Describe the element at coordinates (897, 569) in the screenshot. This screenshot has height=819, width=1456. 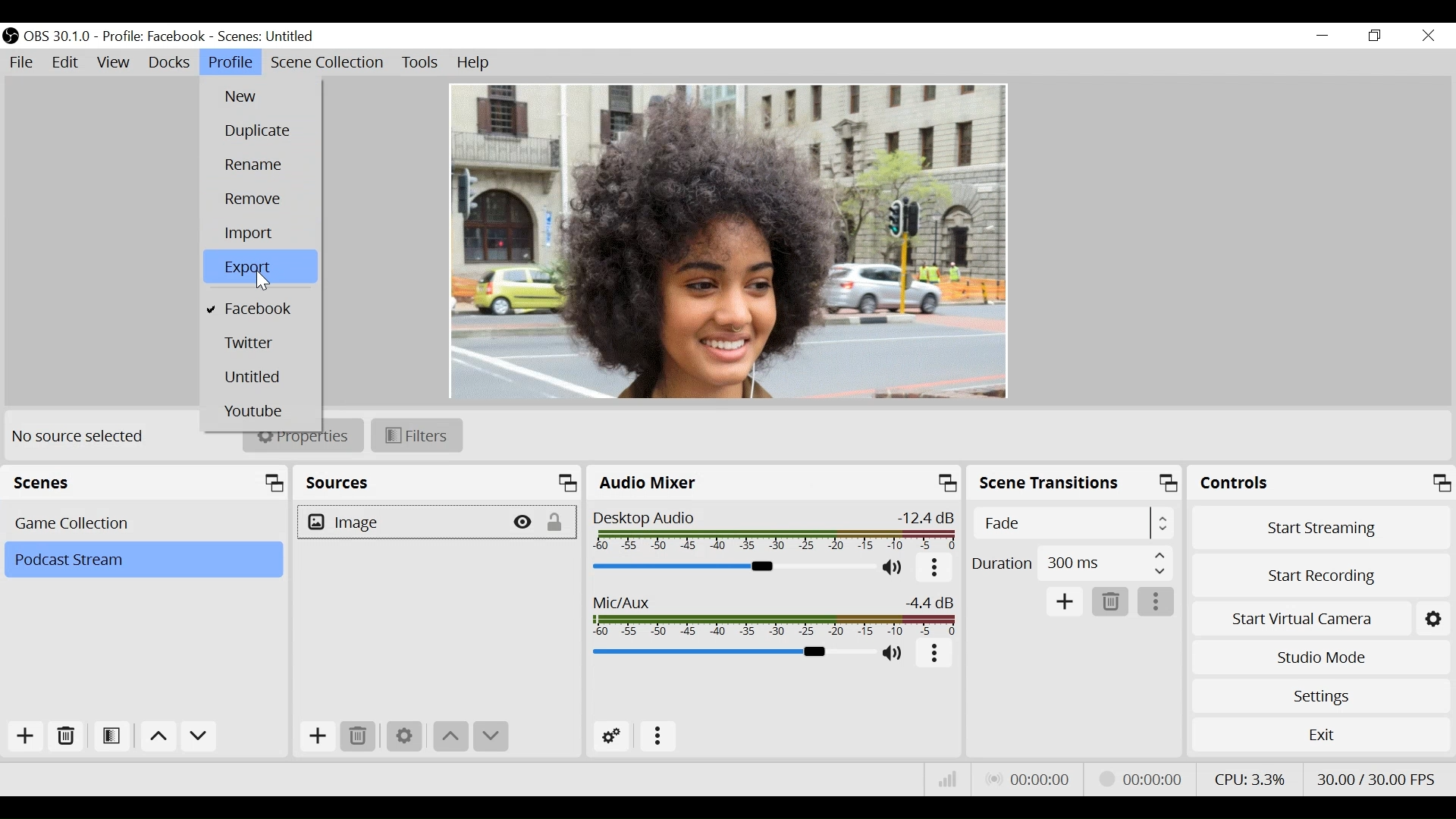
I see `(un)mute` at that location.